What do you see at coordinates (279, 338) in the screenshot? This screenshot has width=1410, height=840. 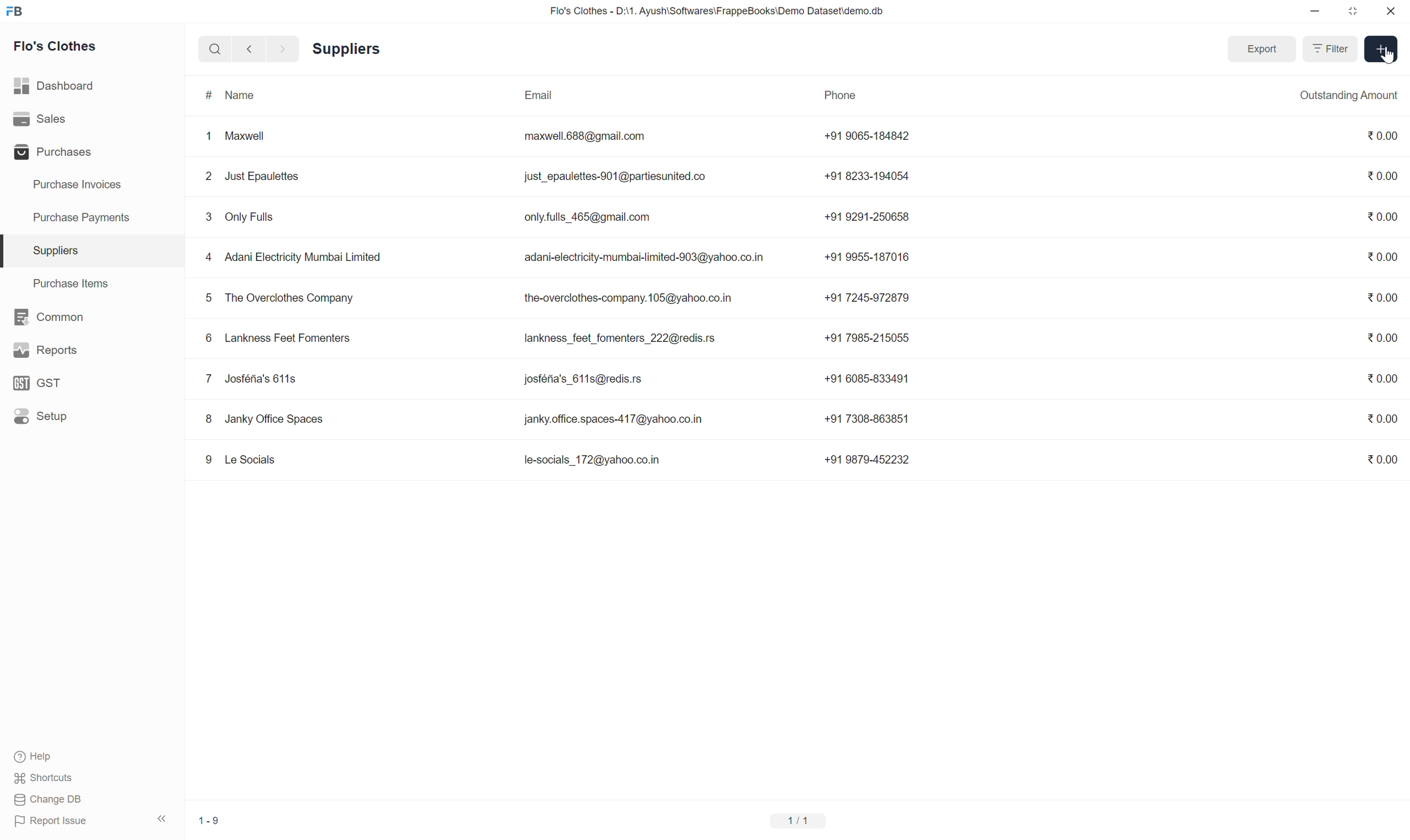 I see `6 Lankness Feet Fomenters` at bounding box center [279, 338].